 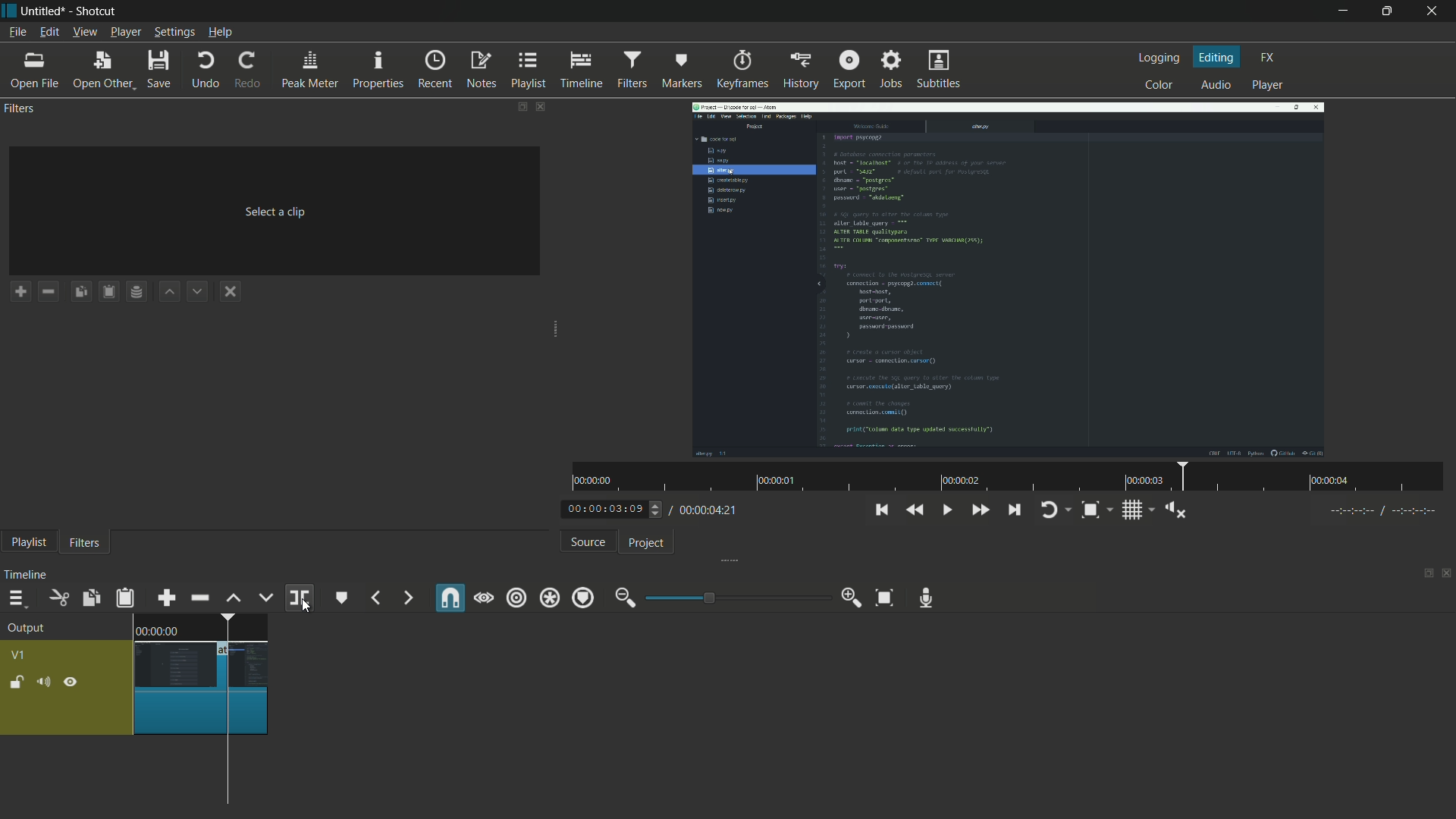 I want to click on help menu, so click(x=221, y=33).